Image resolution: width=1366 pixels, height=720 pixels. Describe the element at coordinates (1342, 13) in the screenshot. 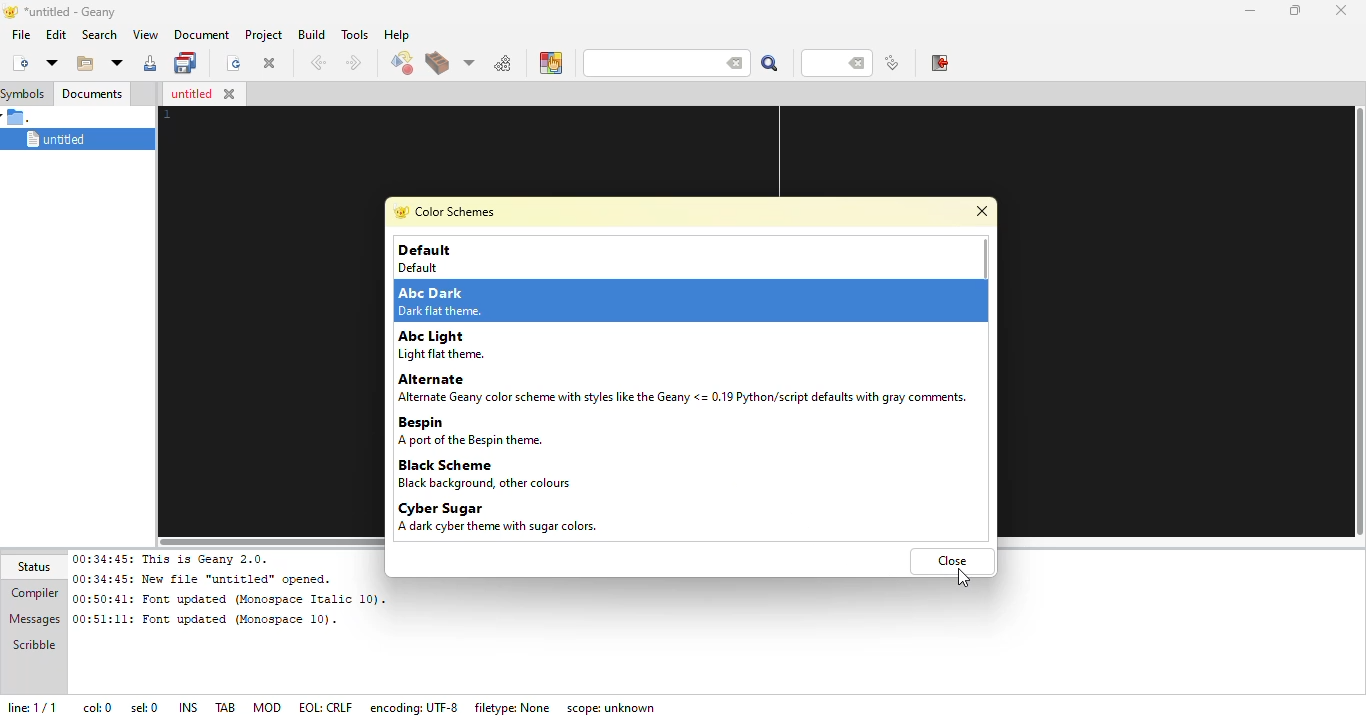

I see `close` at that location.